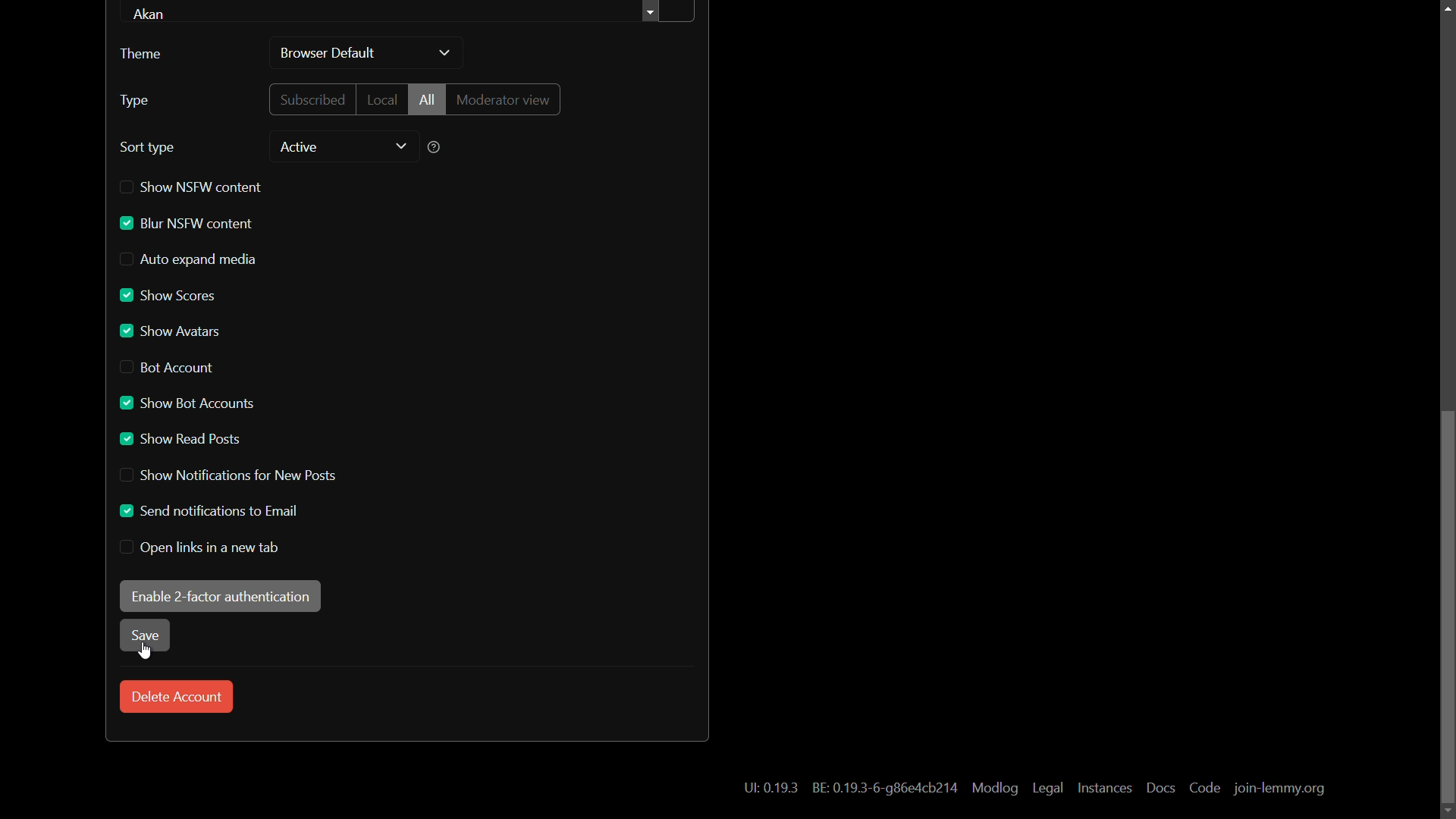 This screenshot has width=1456, height=819. I want to click on auto expand media, so click(190, 259).